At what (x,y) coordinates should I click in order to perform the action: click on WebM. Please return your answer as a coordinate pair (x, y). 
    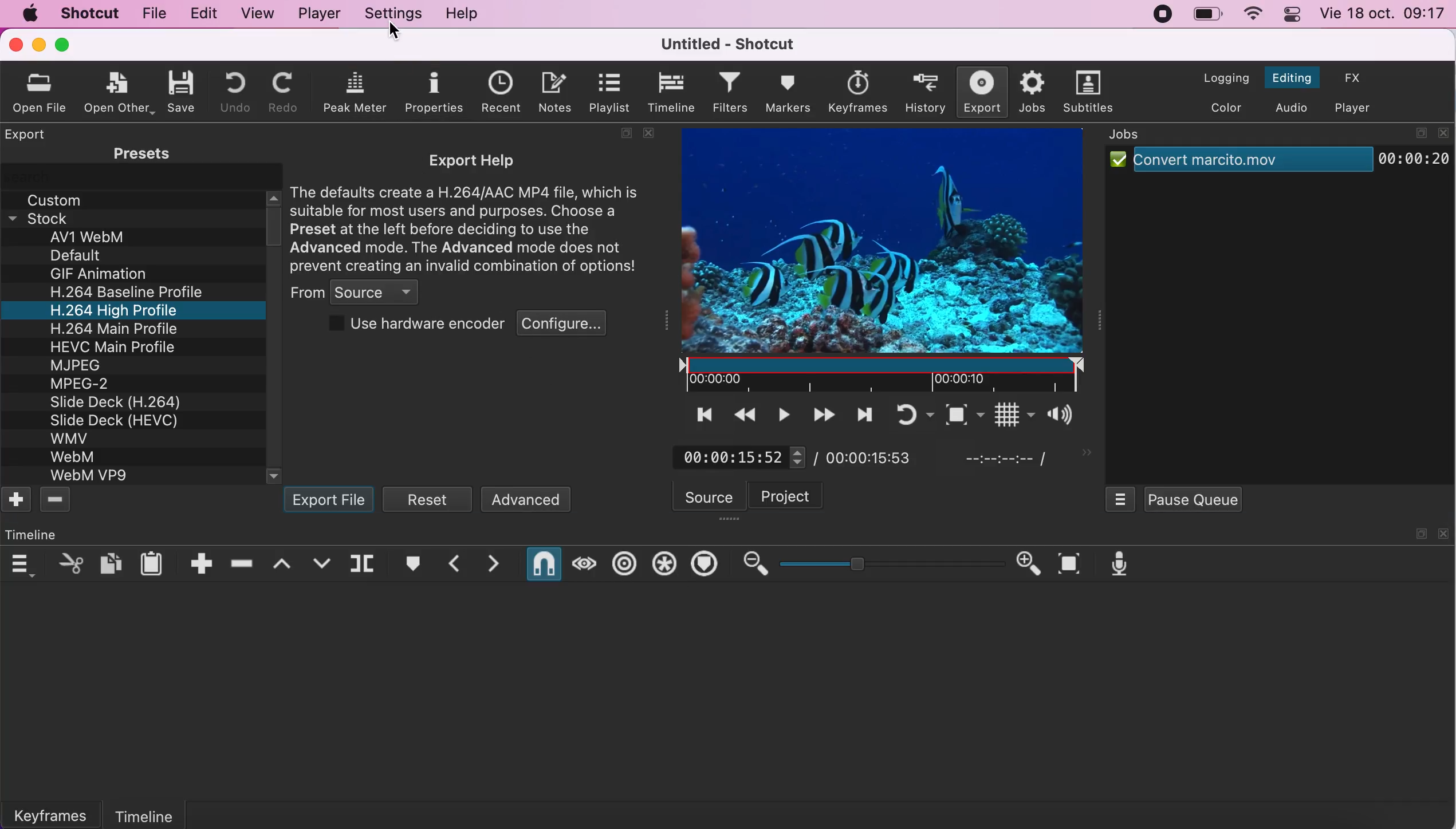
    Looking at the image, I should click on (77, 456).